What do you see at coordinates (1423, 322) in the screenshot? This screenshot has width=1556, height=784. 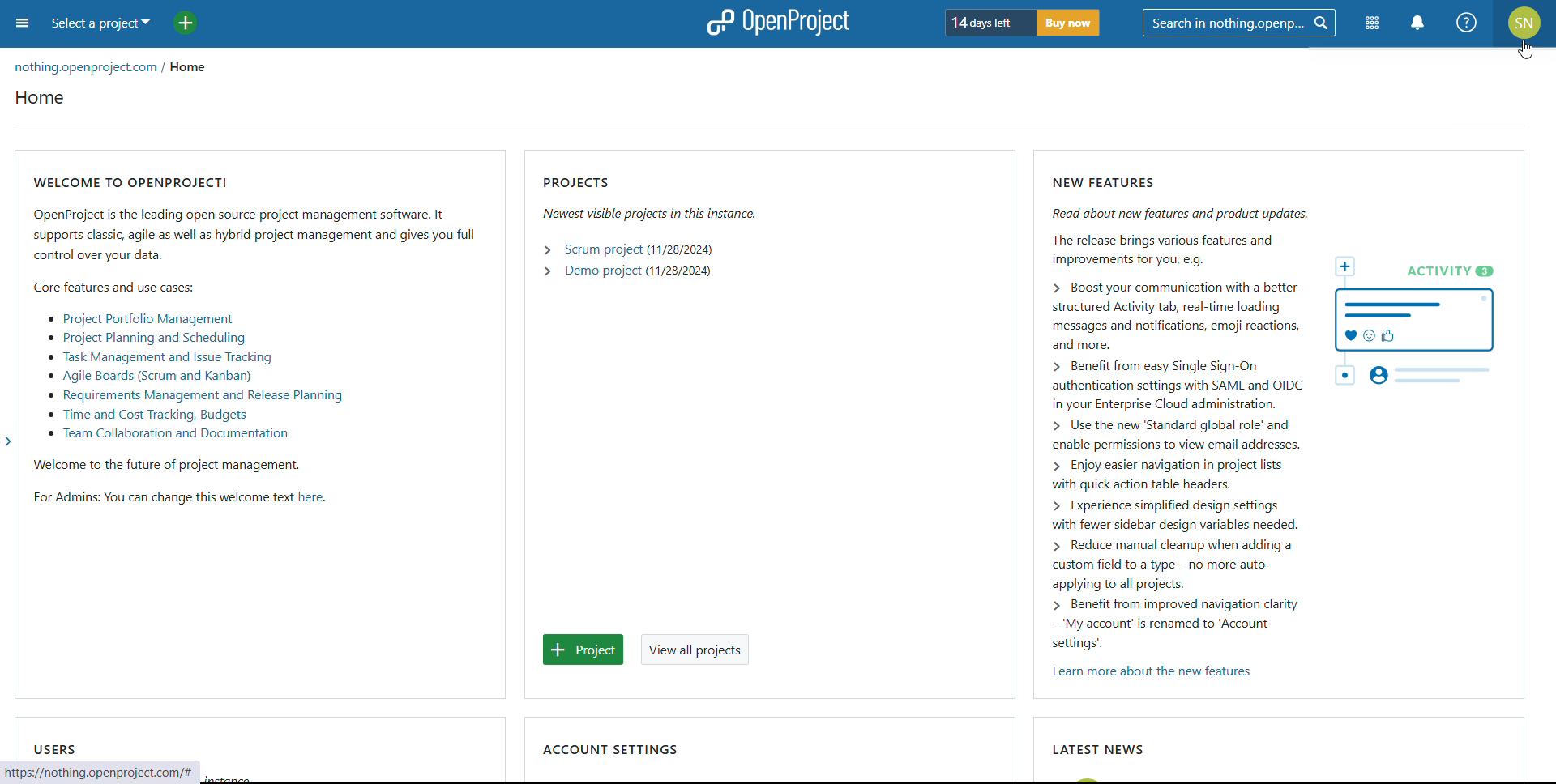 I see `+ ACTIVITY 3` at bounding box center [1423, 322].